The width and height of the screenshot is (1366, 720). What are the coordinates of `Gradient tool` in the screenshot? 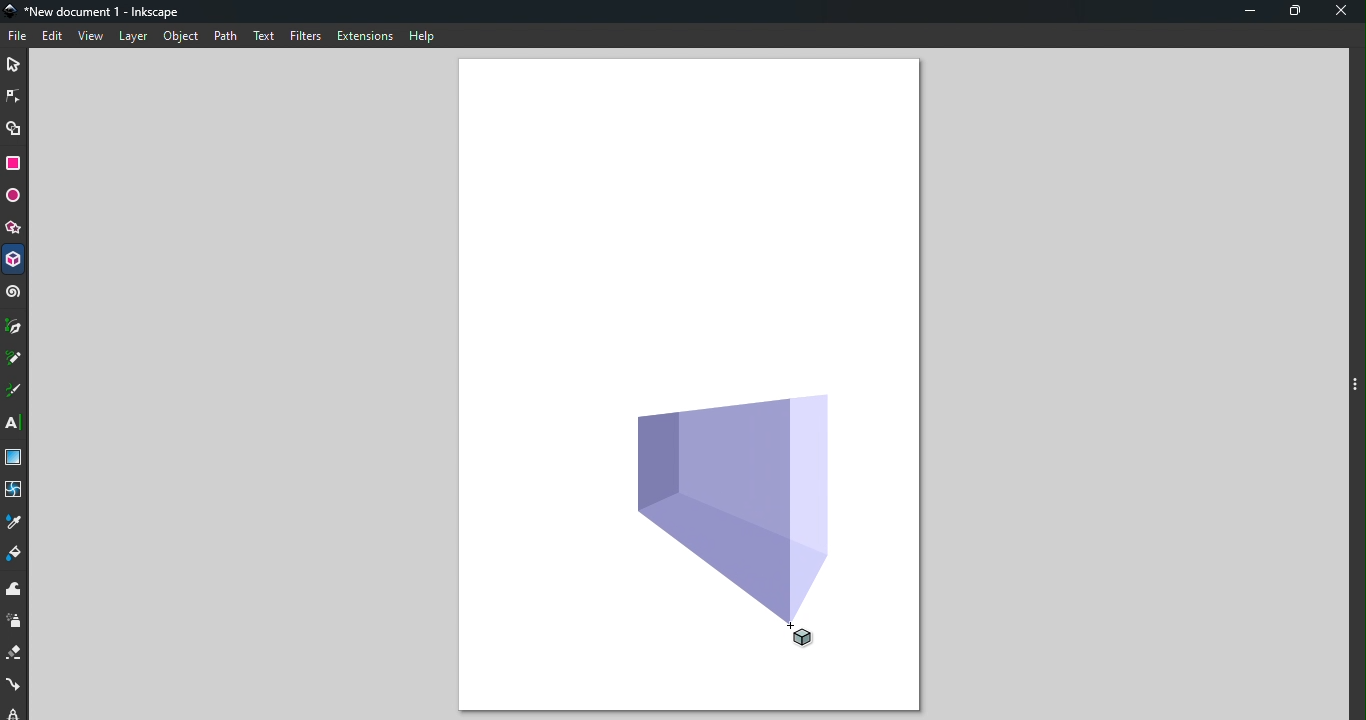 It's located at (15, 455).